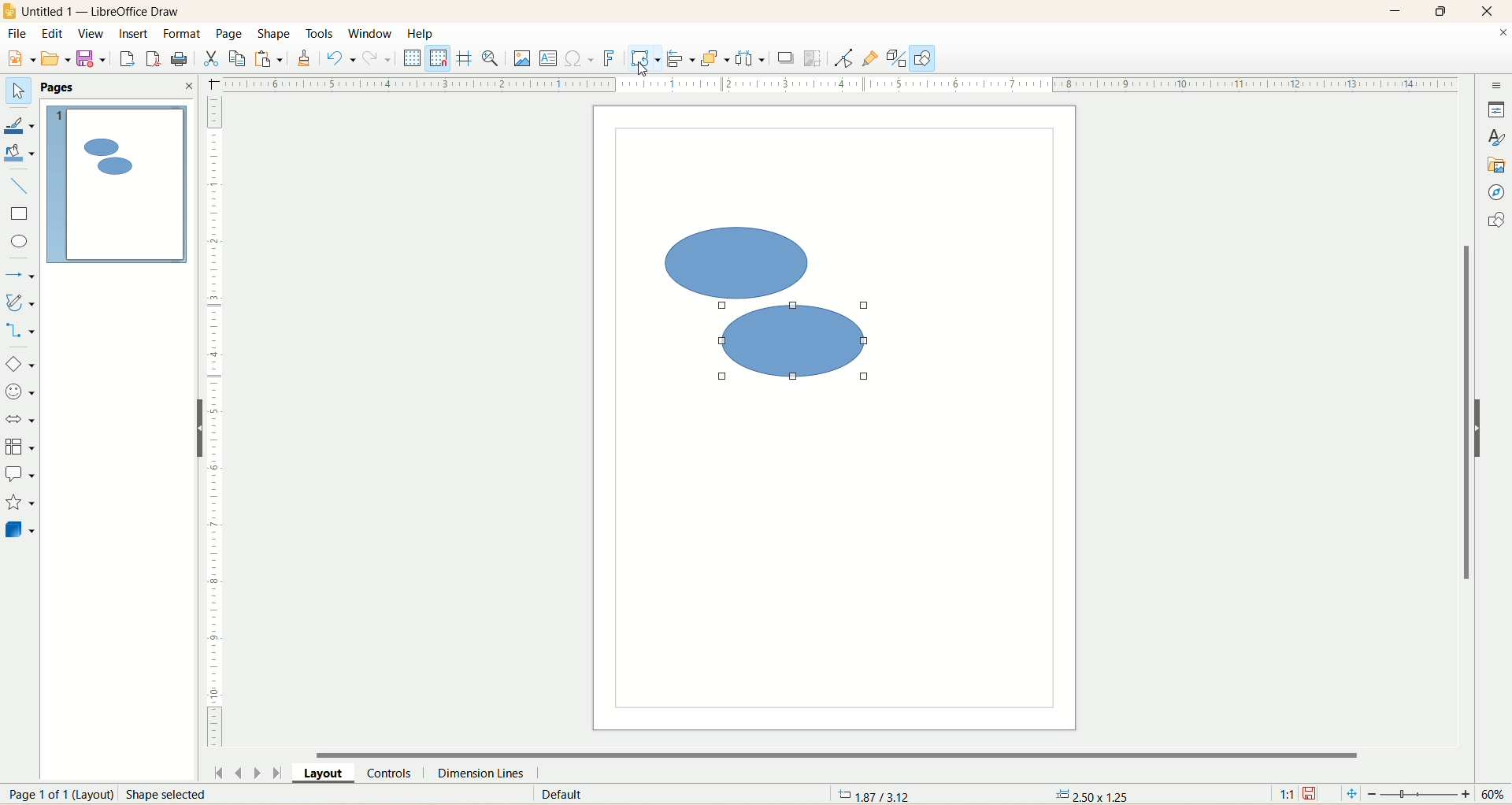 This screenshot has height=805, width=1512. What do you see at coordinates (10, 10) in the screenshot?
I see `logo` at bounding box center [10, 10].